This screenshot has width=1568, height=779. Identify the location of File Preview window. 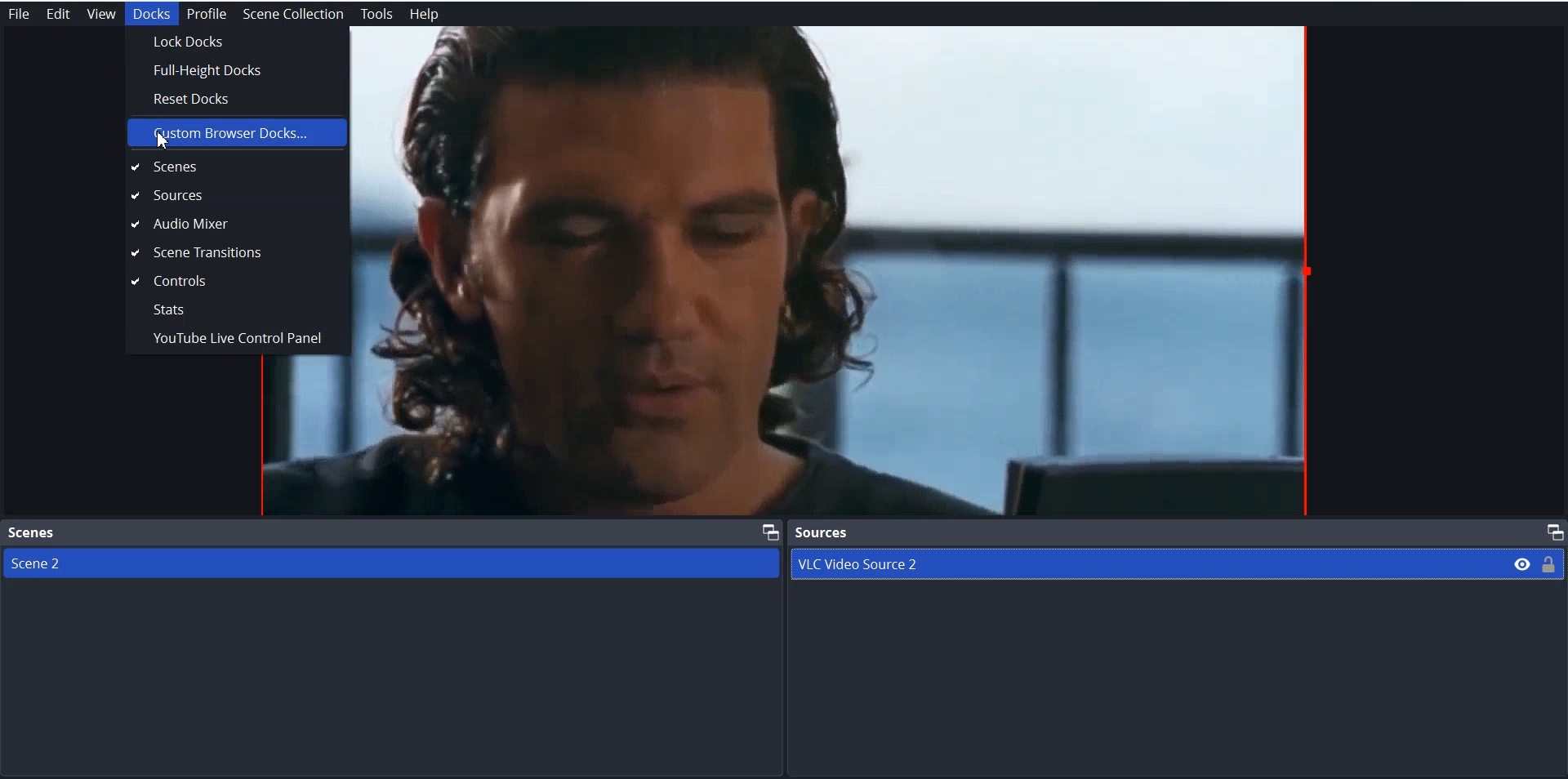
(835, 273).